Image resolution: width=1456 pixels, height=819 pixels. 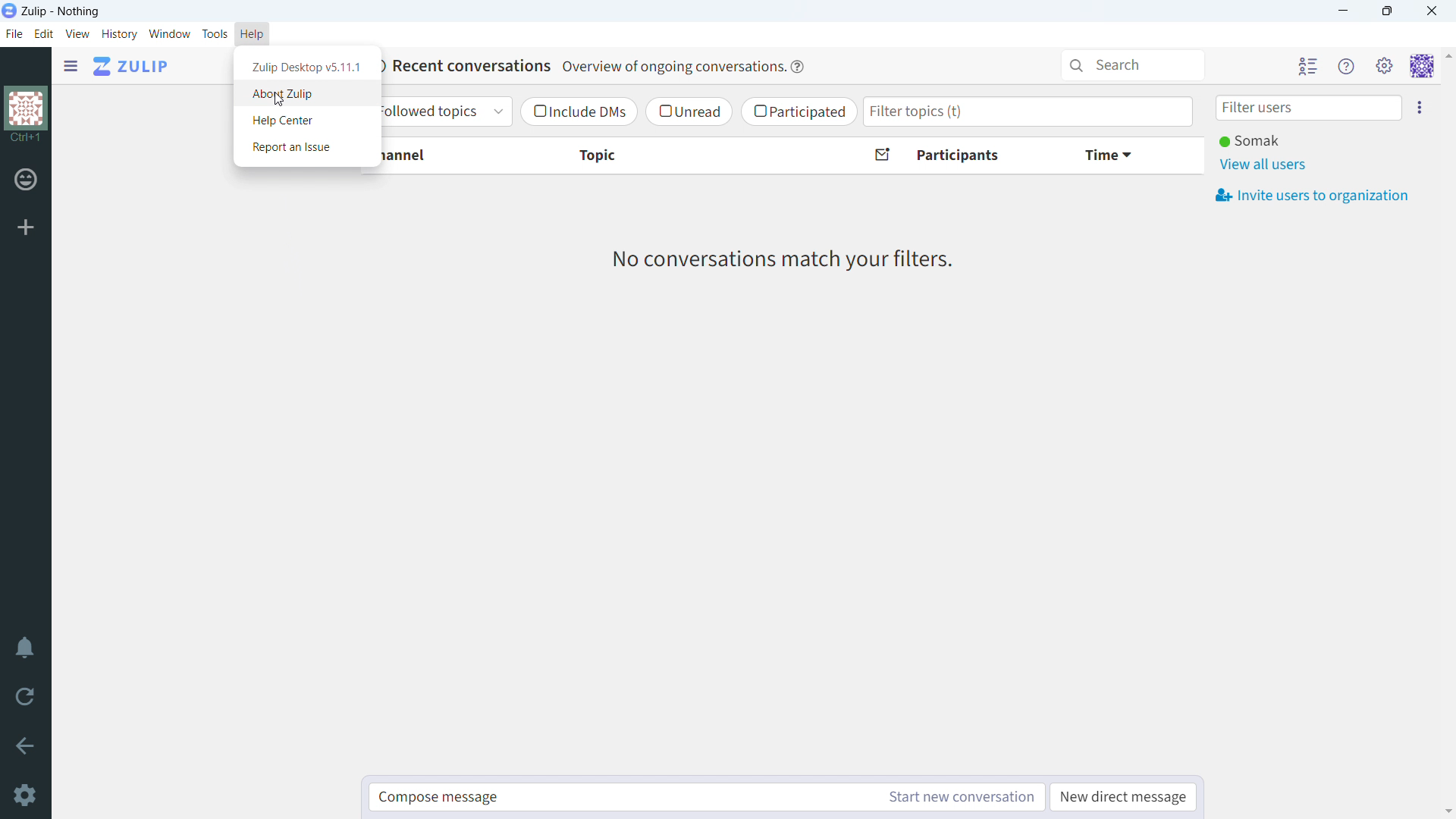 I want to click on new direct message, so click(x=1124, y=797).